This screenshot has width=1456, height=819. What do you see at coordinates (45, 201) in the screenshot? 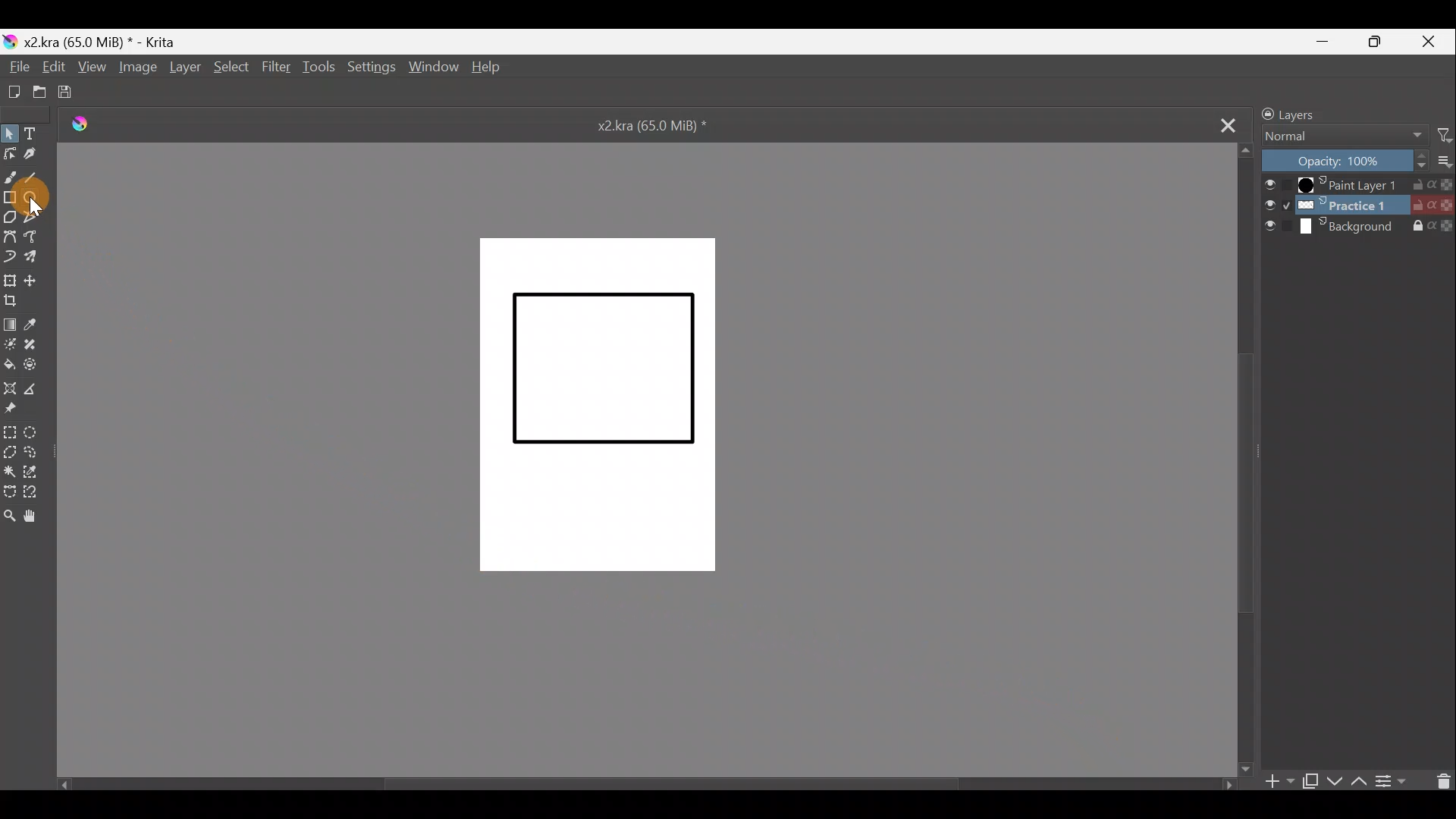
I see `Cursor` at bounding box center [45, 201].